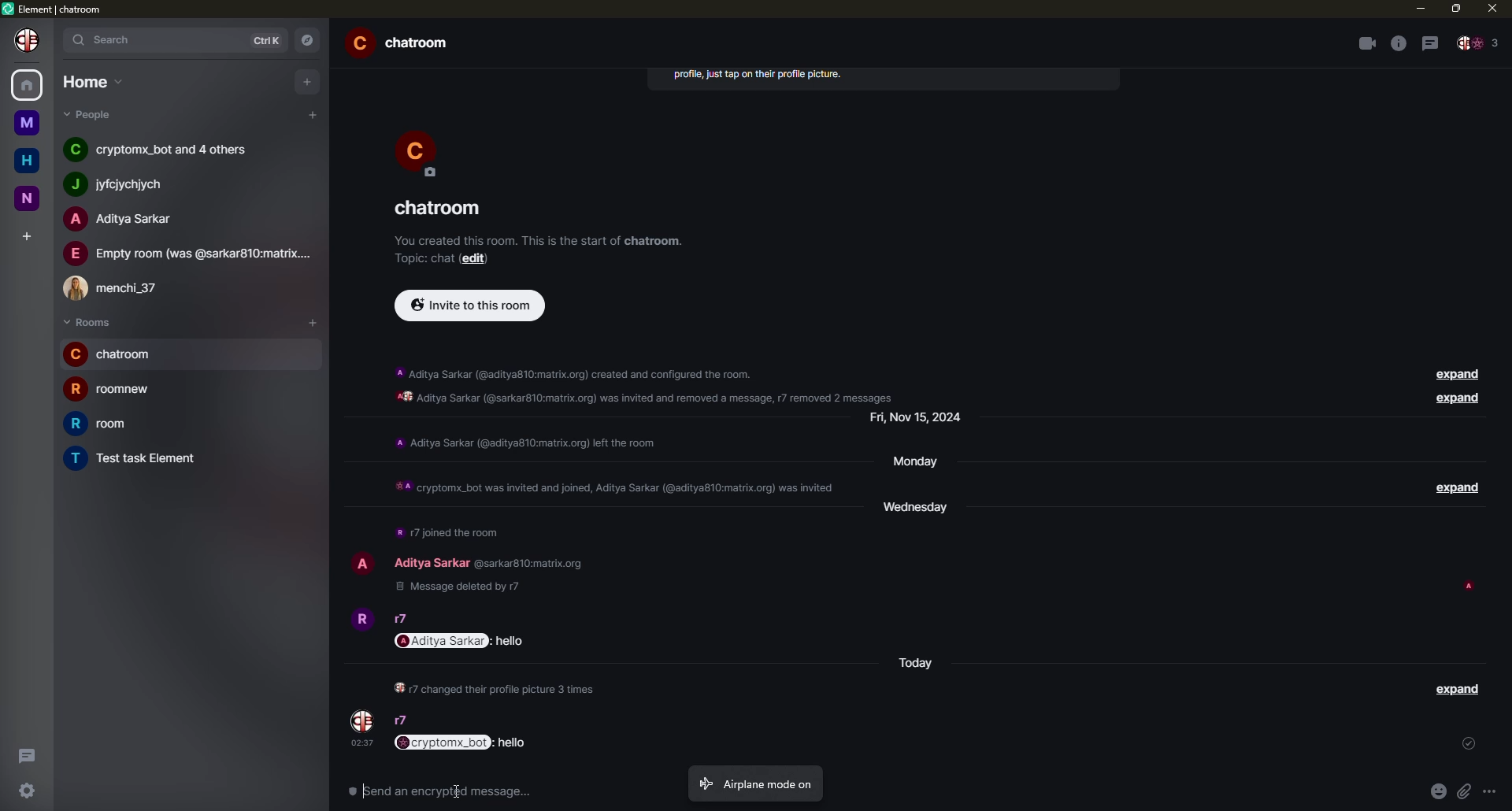  I want to click on cursor, so click(458, 792).